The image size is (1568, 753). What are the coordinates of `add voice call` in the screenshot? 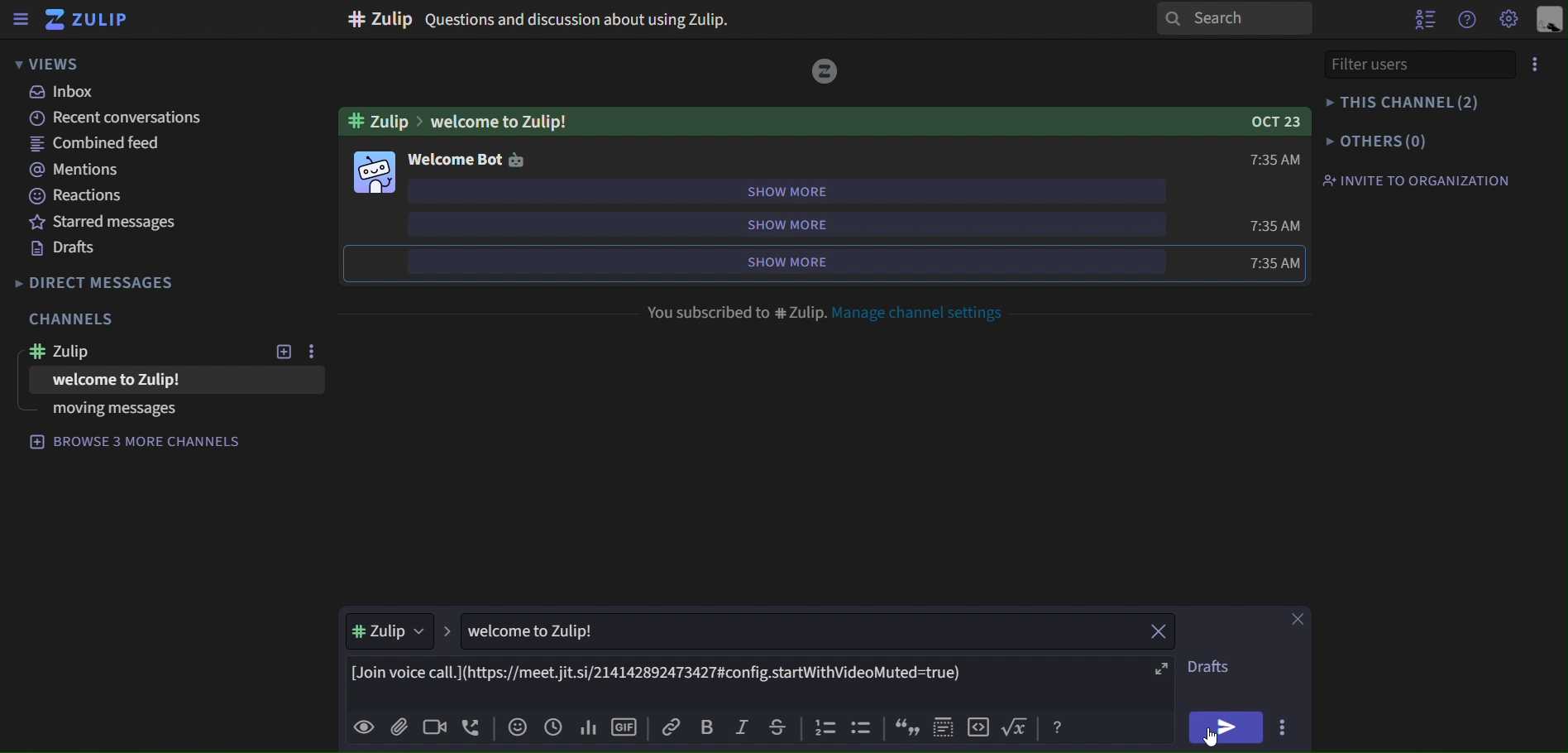 It's located at (471, 727).